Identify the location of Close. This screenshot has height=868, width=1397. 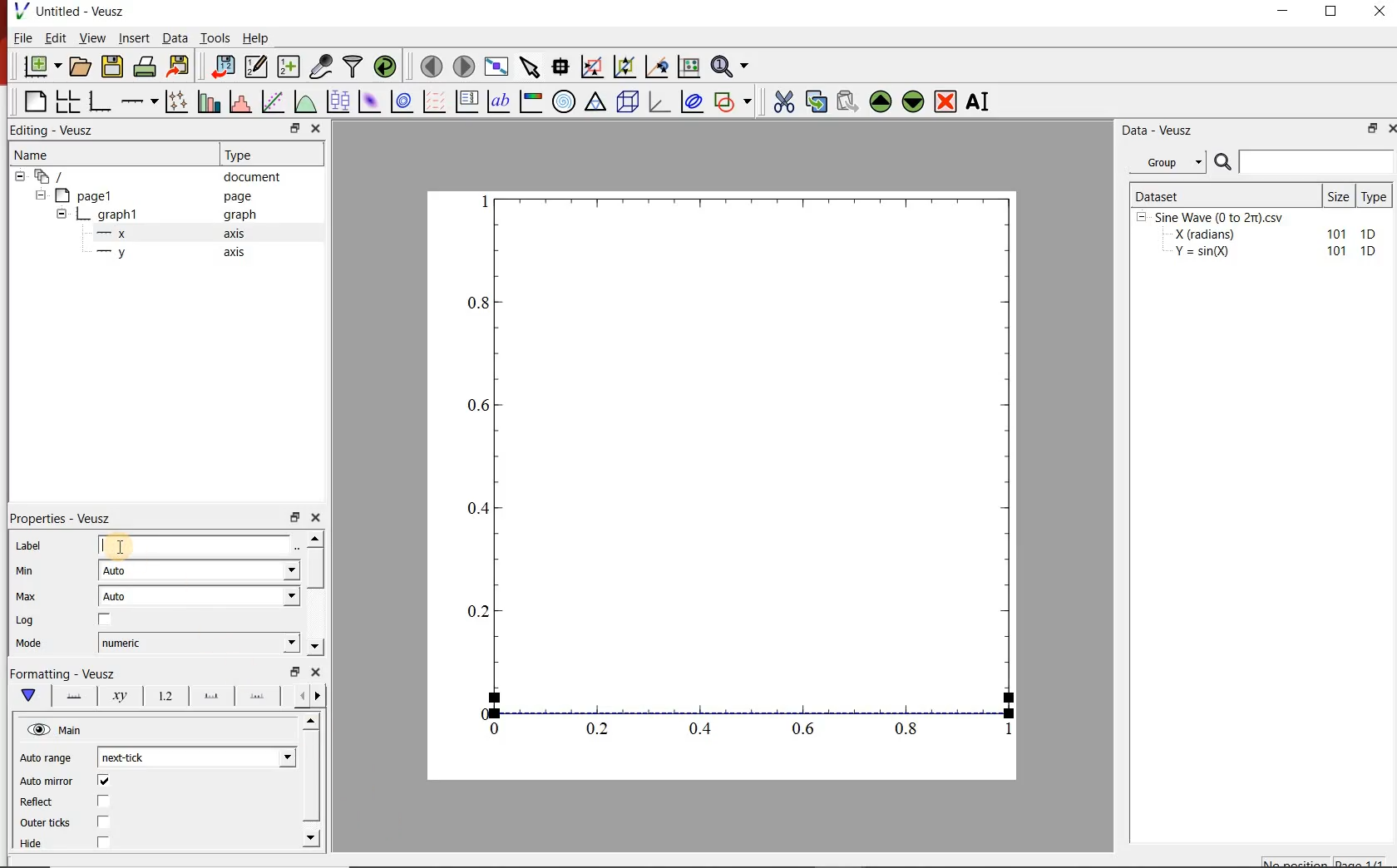
(317, 672).